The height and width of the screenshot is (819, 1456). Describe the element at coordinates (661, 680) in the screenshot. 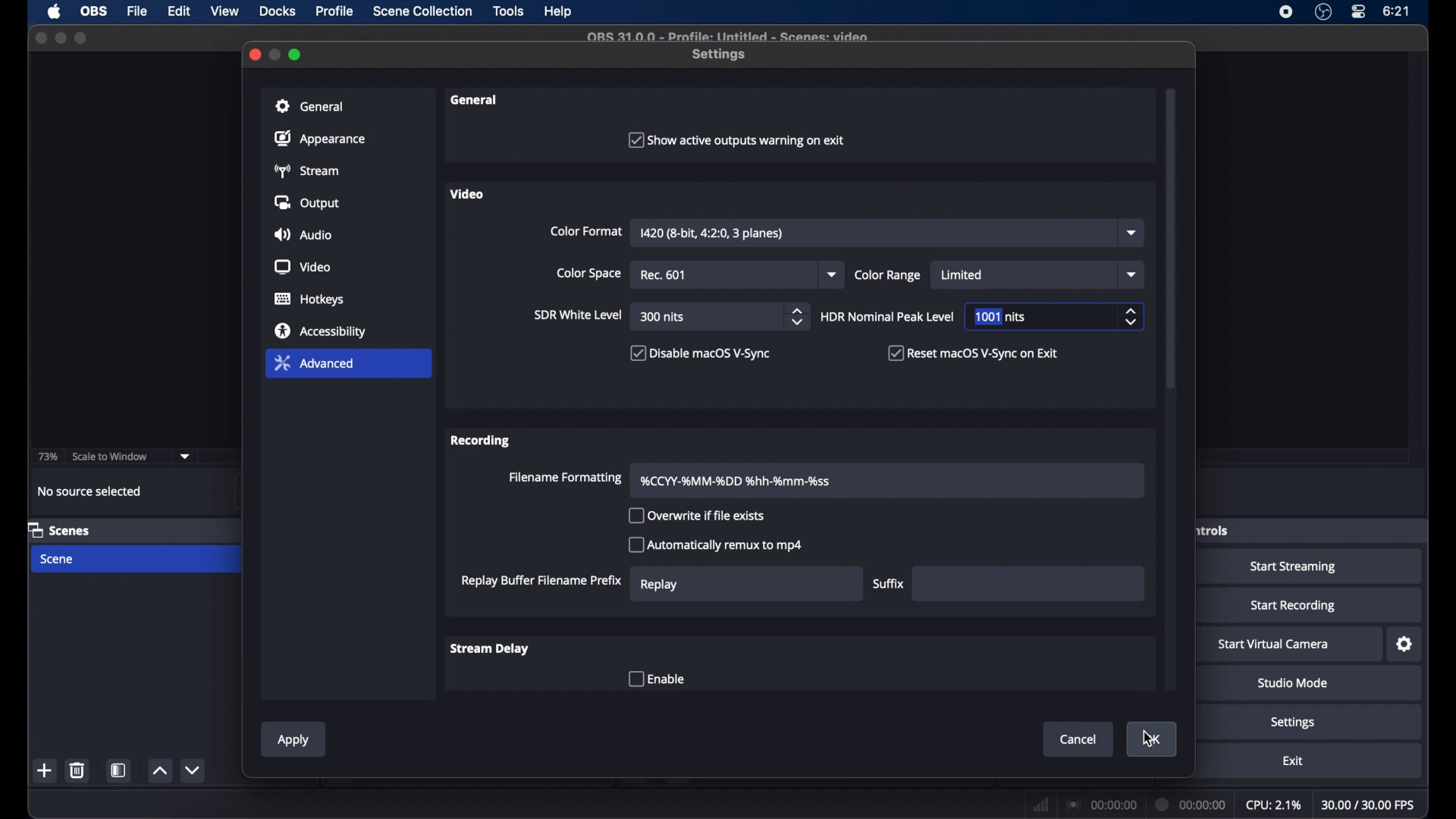

I see `[JEnable` at that location.